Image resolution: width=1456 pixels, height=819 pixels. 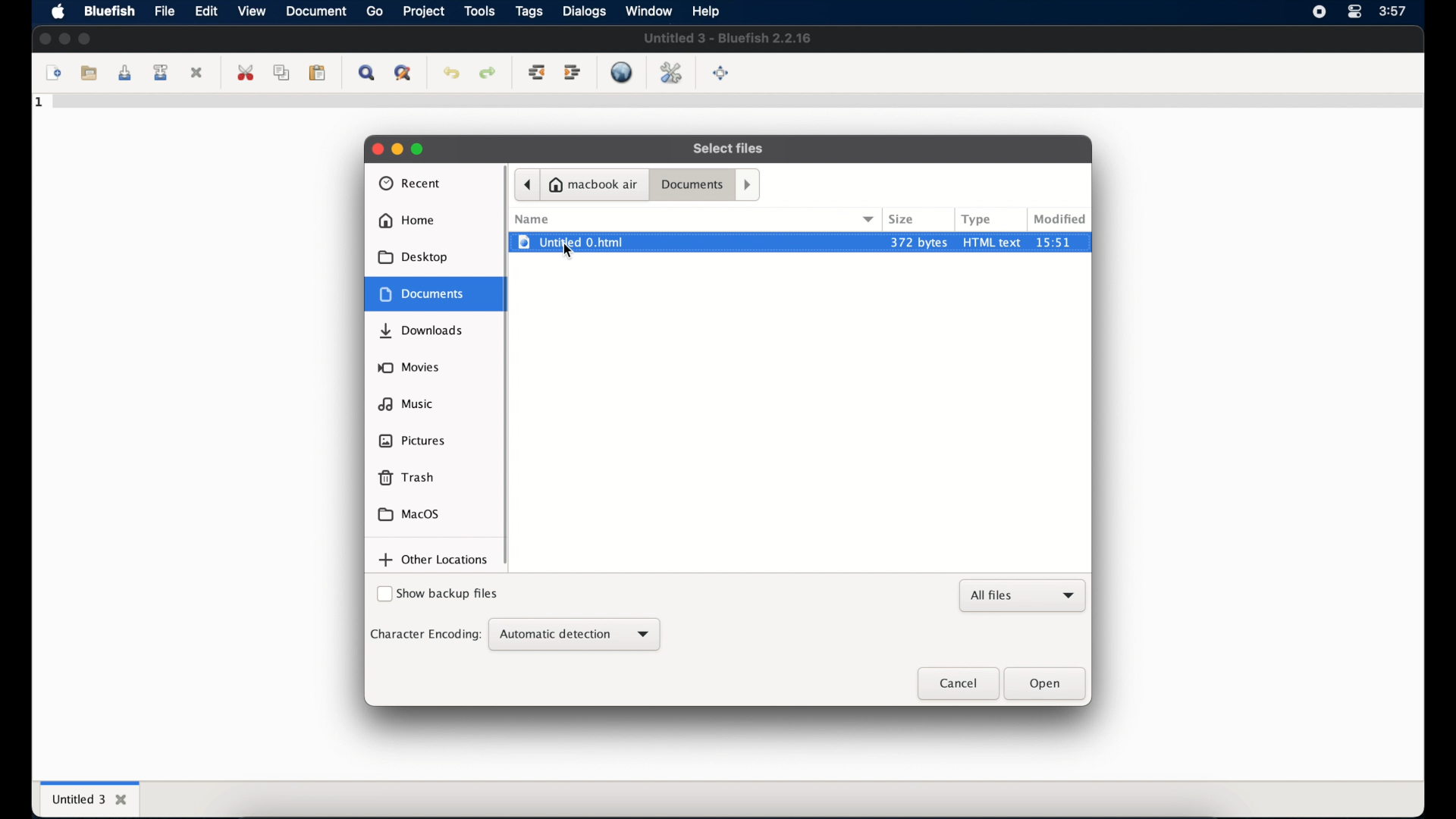 I want to click on screen recorder icon, so click(x=1319, y=12).